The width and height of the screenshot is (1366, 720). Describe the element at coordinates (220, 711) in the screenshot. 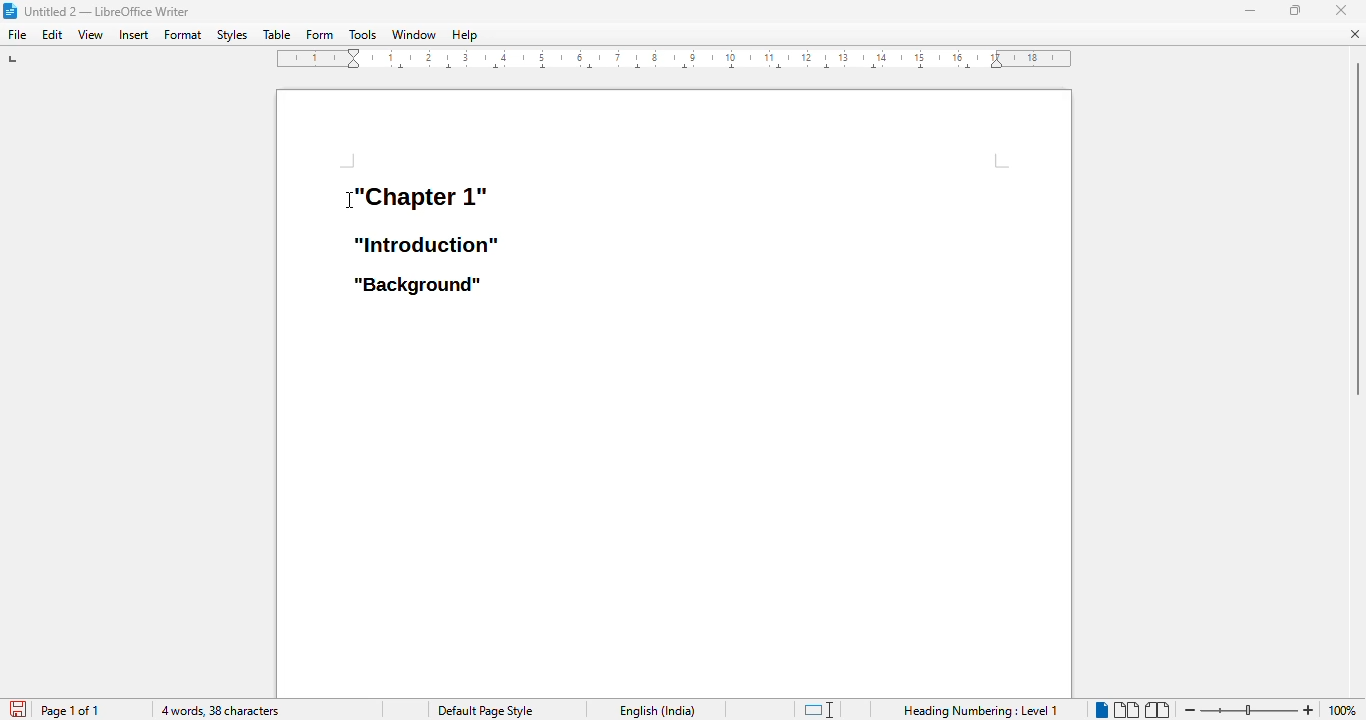

I see `4 words, 38 characters` at that location.